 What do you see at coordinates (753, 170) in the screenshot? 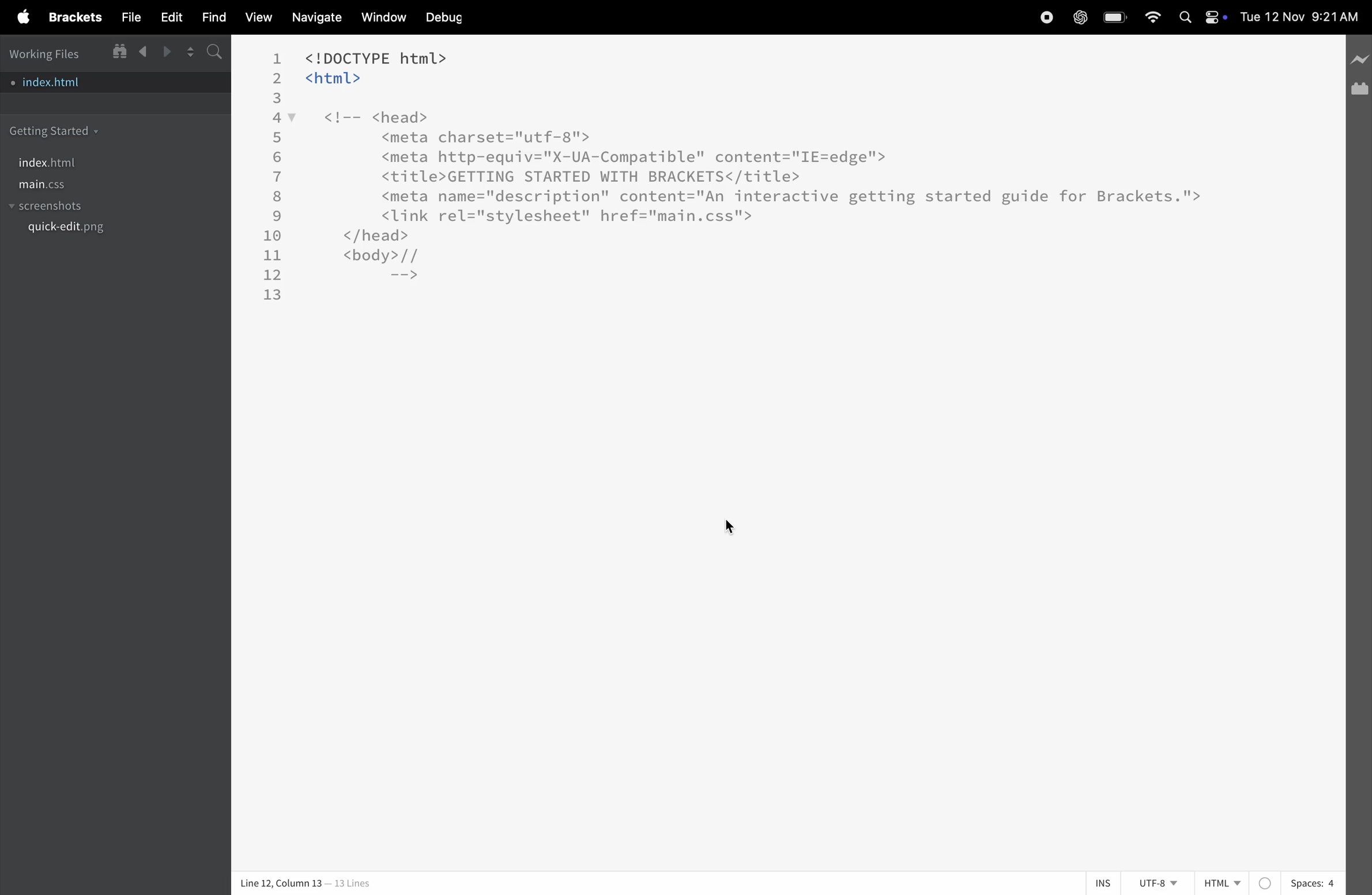
I see `<!DOCTYPE html>
<html>
<!-- <head>
<meta charset="utf-8">
<meta http-equiv="X-UA-Compatible" content="IE=edge">
<title>GETTING STARTED WITH BRACKETS</title>
<meta name="description" content="An interactive getting started guide for Brackets.">
<link rel="stylesheet" href="main.css">
</head>
<body>//
-=>` at bounding box center [753, 170].